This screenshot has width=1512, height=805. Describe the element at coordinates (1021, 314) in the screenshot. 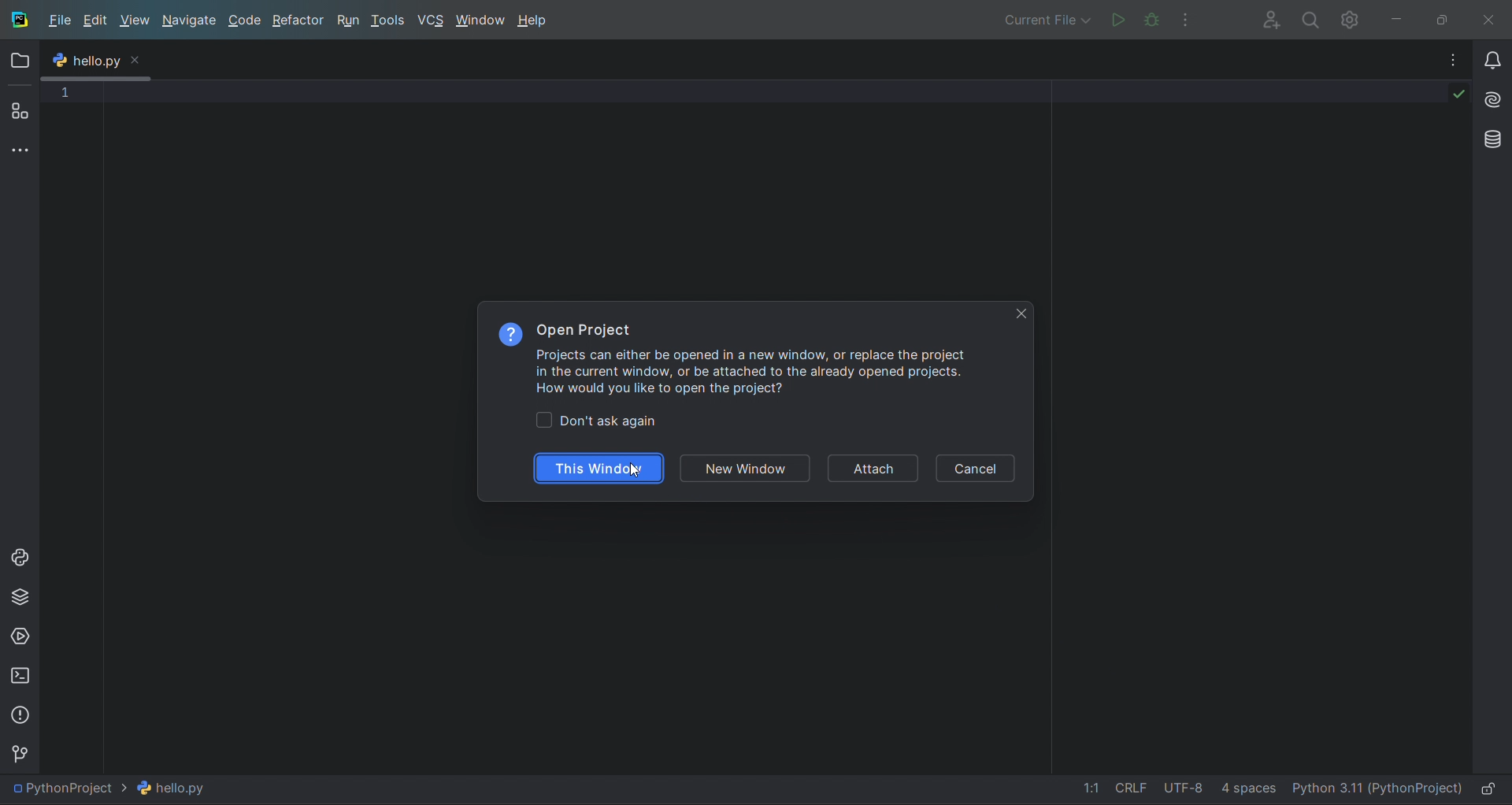

I see `close tab` at that location.